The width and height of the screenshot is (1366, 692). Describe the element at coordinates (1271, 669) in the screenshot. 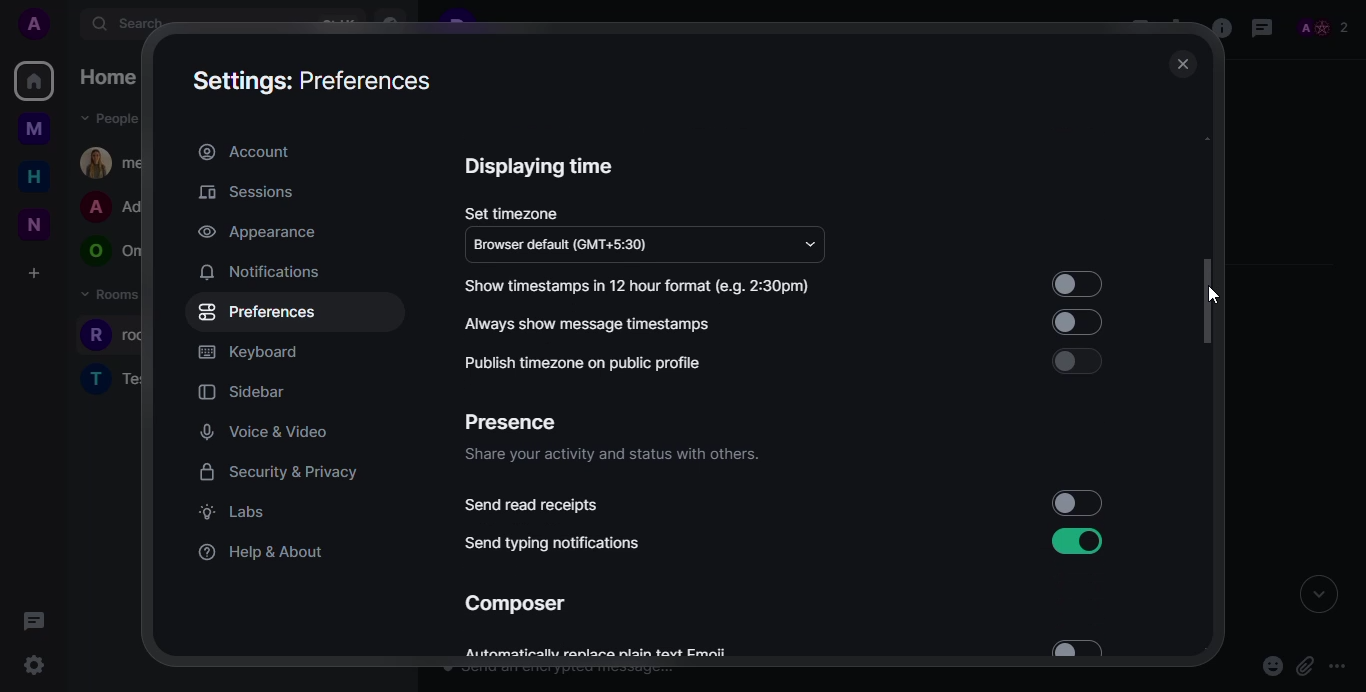

I see `emoji` at that location.